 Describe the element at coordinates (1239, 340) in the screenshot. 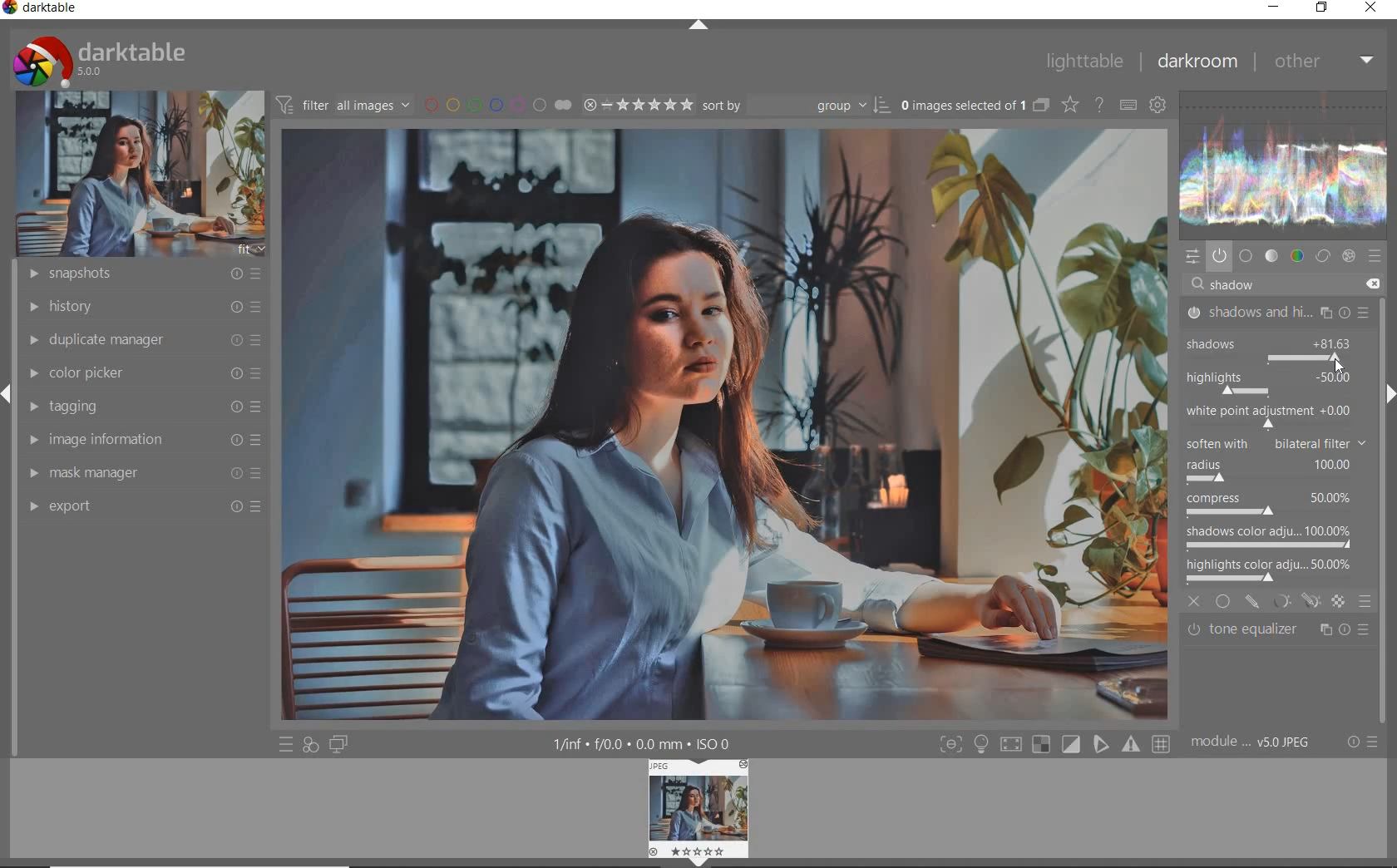

I see `shadows` at that location.